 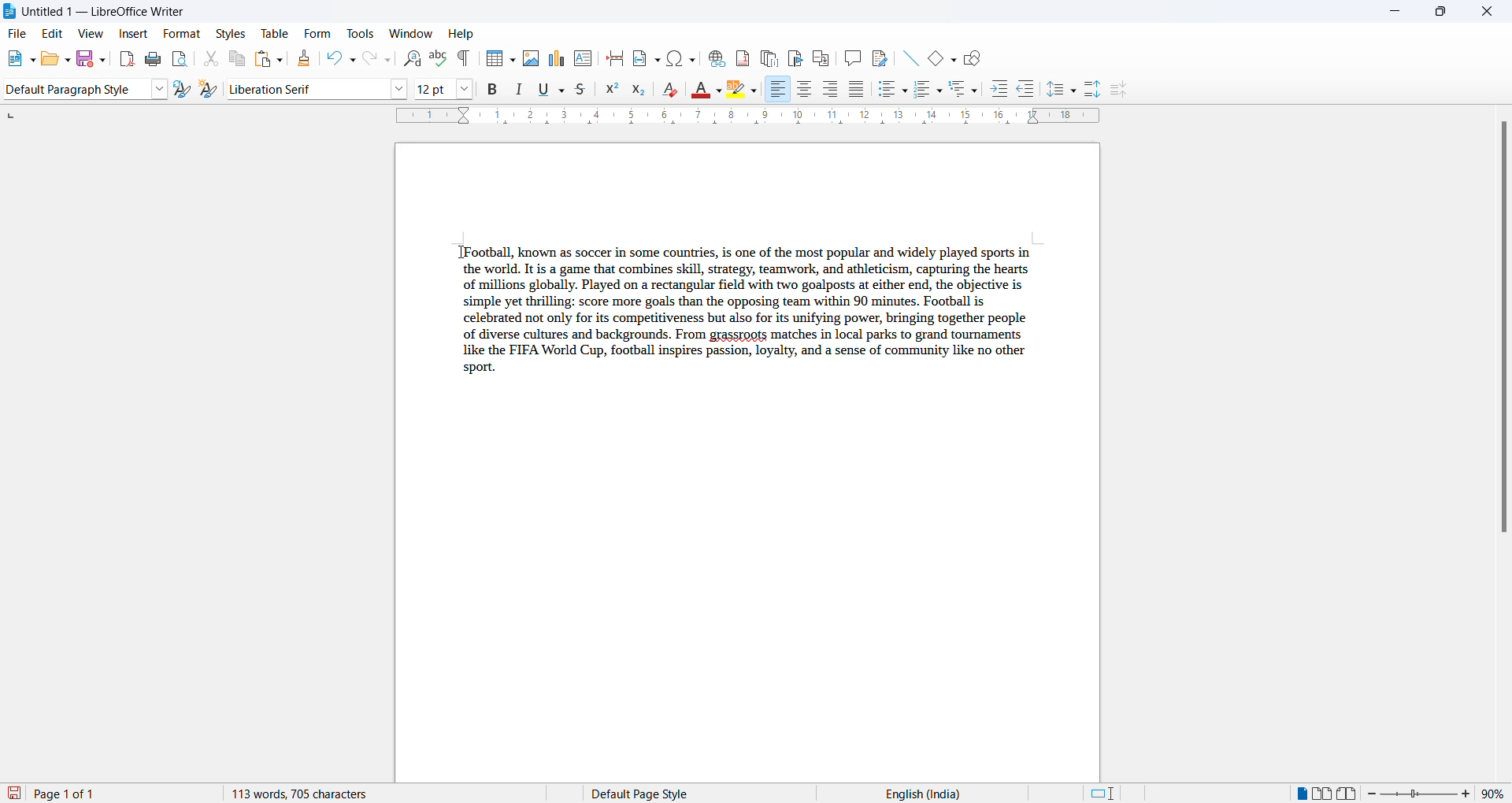 I want to click on toggle unordered list, so click(x=885, y=90).